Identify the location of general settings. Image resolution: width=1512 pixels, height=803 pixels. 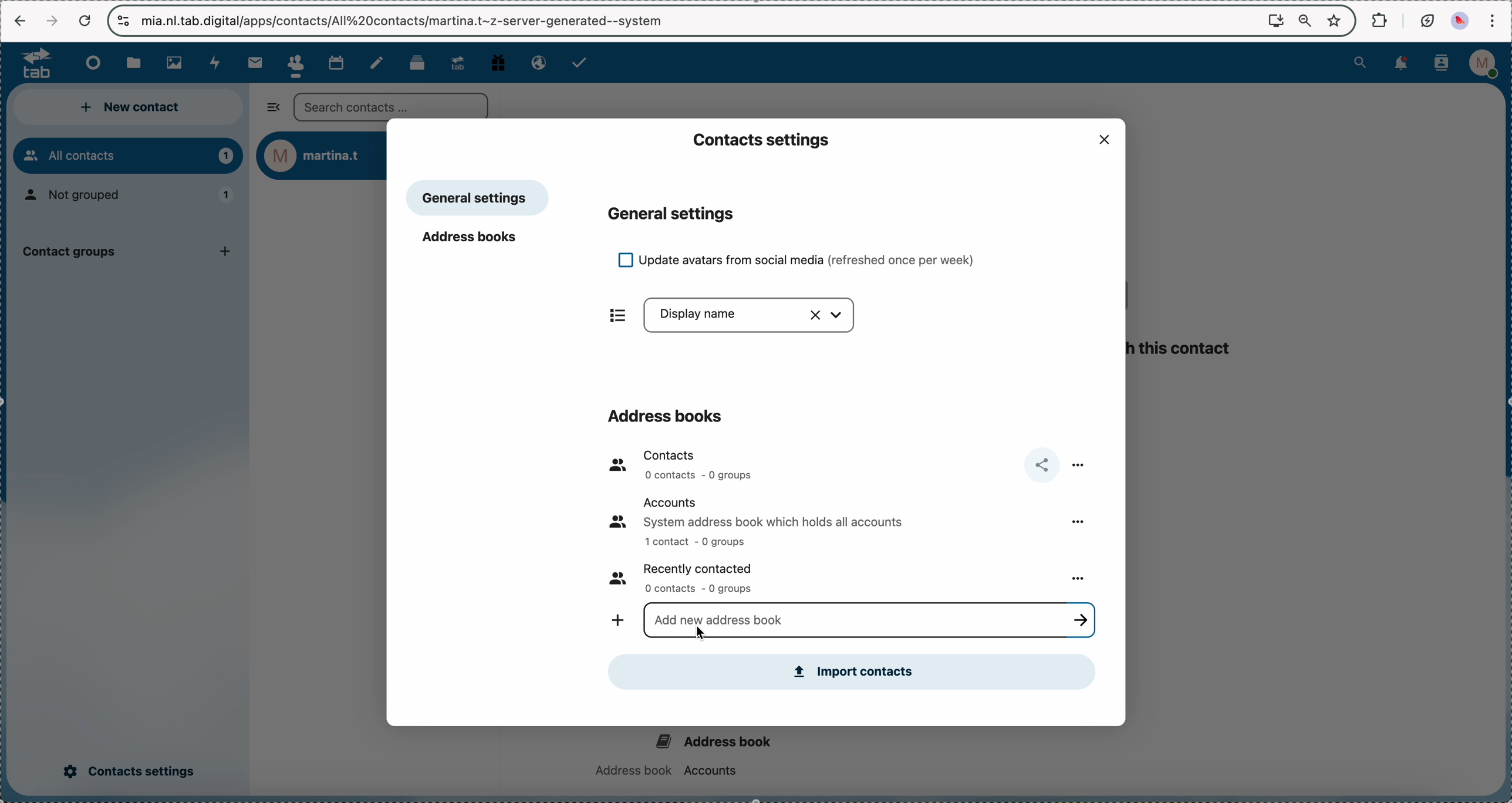
(478, 198).